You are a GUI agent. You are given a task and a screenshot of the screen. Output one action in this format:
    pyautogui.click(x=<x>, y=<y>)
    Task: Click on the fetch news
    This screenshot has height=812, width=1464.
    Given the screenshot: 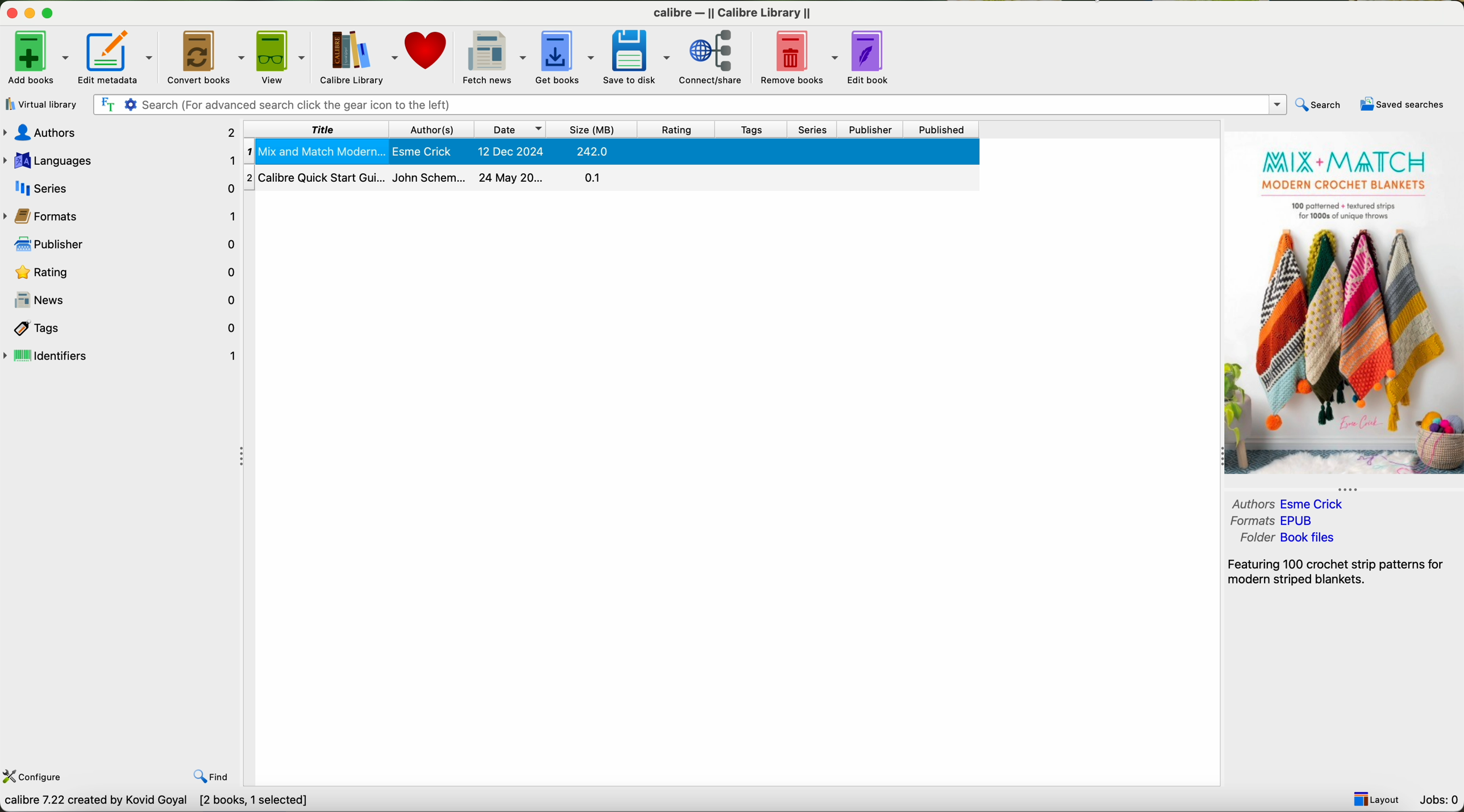 What is the action you would take?
    pyautogui.click(x=493, y=55)
    